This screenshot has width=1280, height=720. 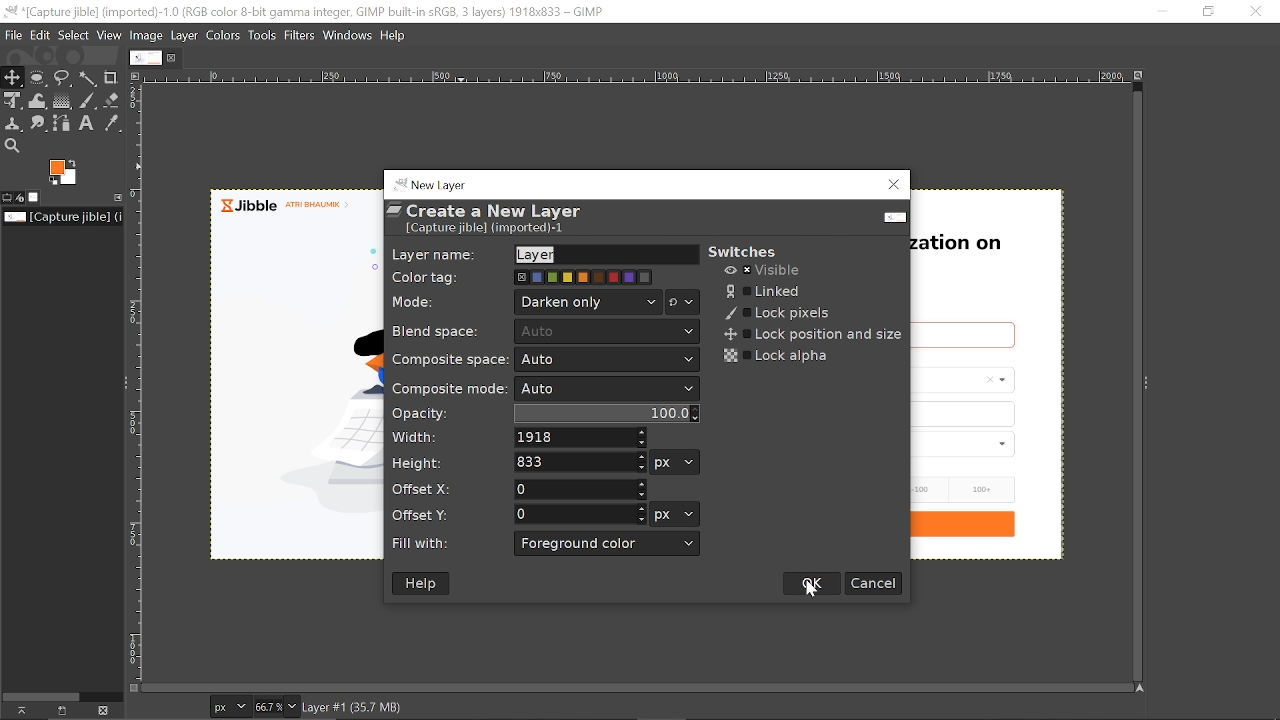 What do you see at coordinates (89, 78) in the screenshot?
I see `Fuzzy select tool` at bounding box center [89, 78].